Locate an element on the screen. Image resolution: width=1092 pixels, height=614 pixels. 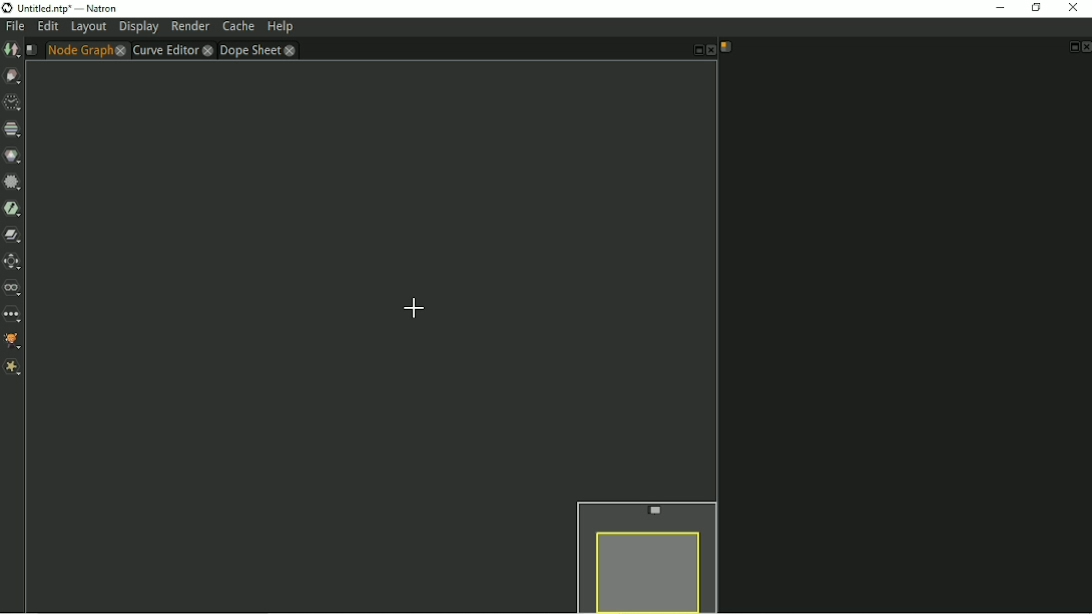
Preview is located at coordinates (644, 554).